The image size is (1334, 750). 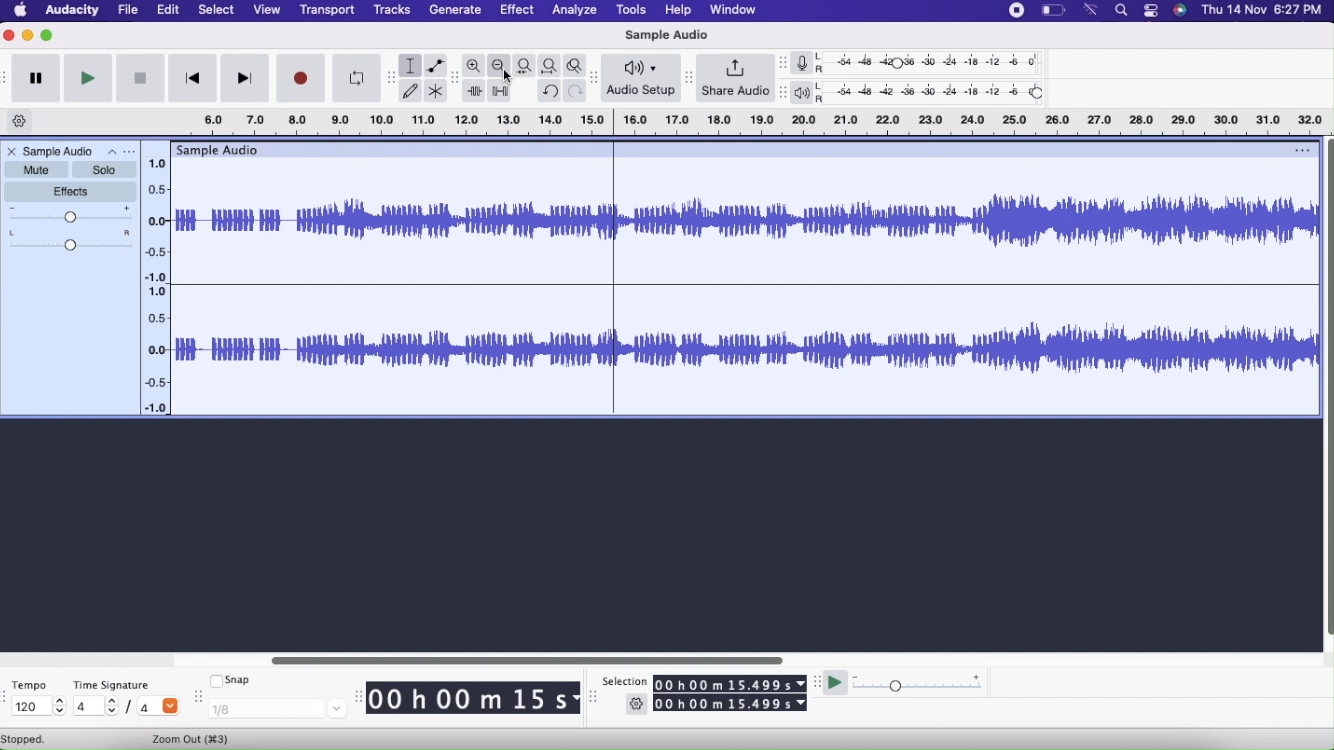 What do you see at coordinates (217, 11) in the screenshot?
I see `Select` at bounding box center [217, 11].